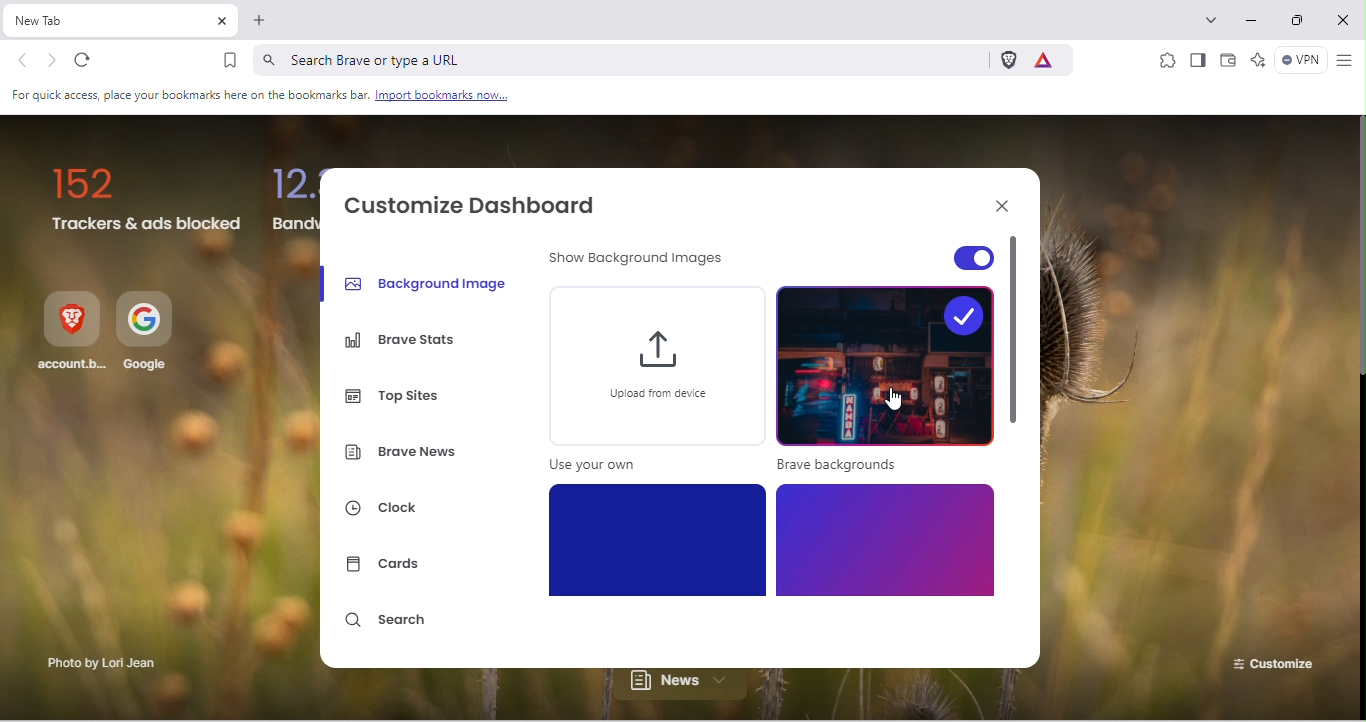 The height and width of the screenshot is (722, 1366). I want to click on Brave status, so click(404, 341).